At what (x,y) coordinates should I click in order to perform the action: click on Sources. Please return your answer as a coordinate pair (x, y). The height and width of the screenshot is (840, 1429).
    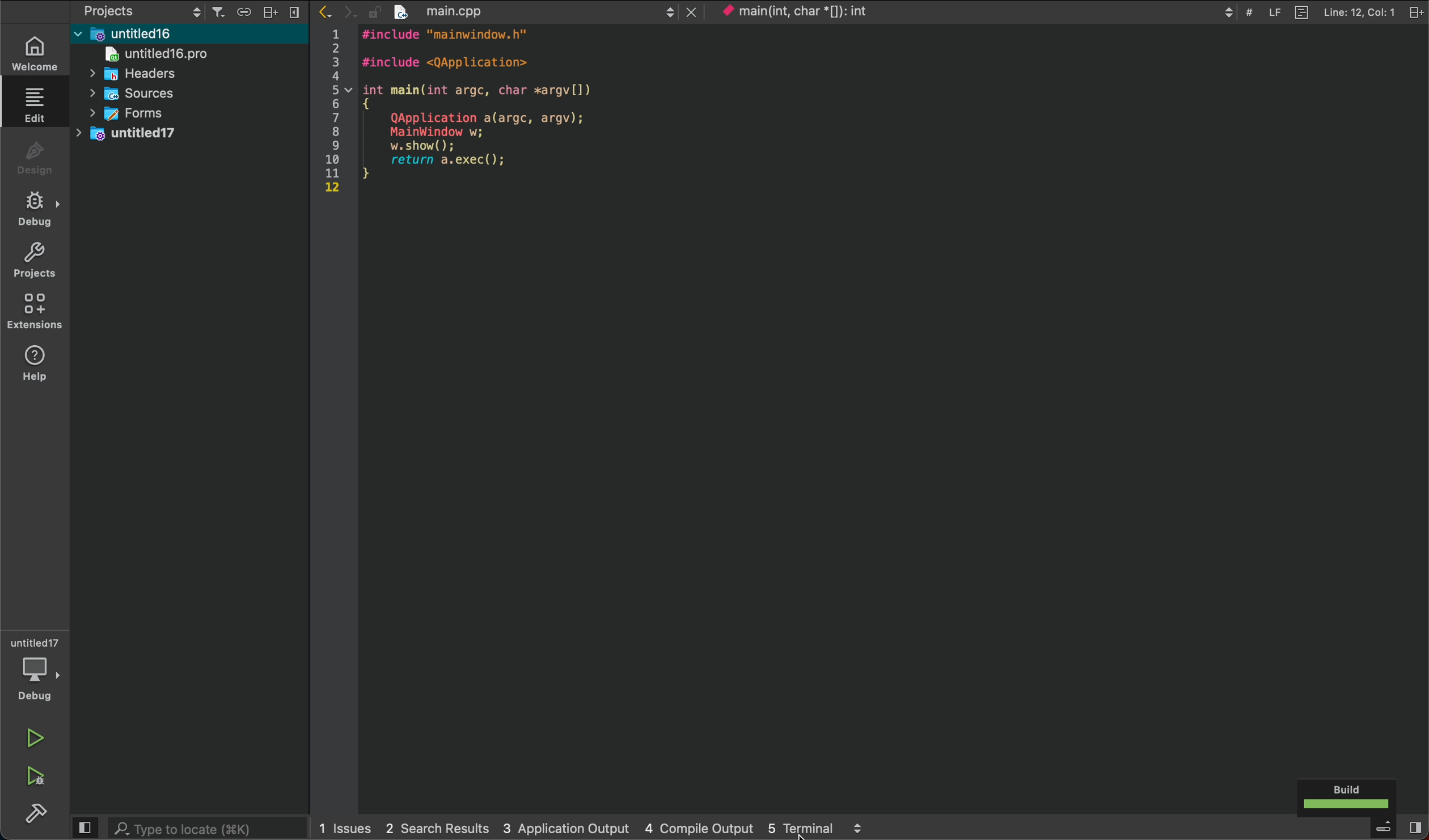
    Looking at the image, I should click on (149, 92).